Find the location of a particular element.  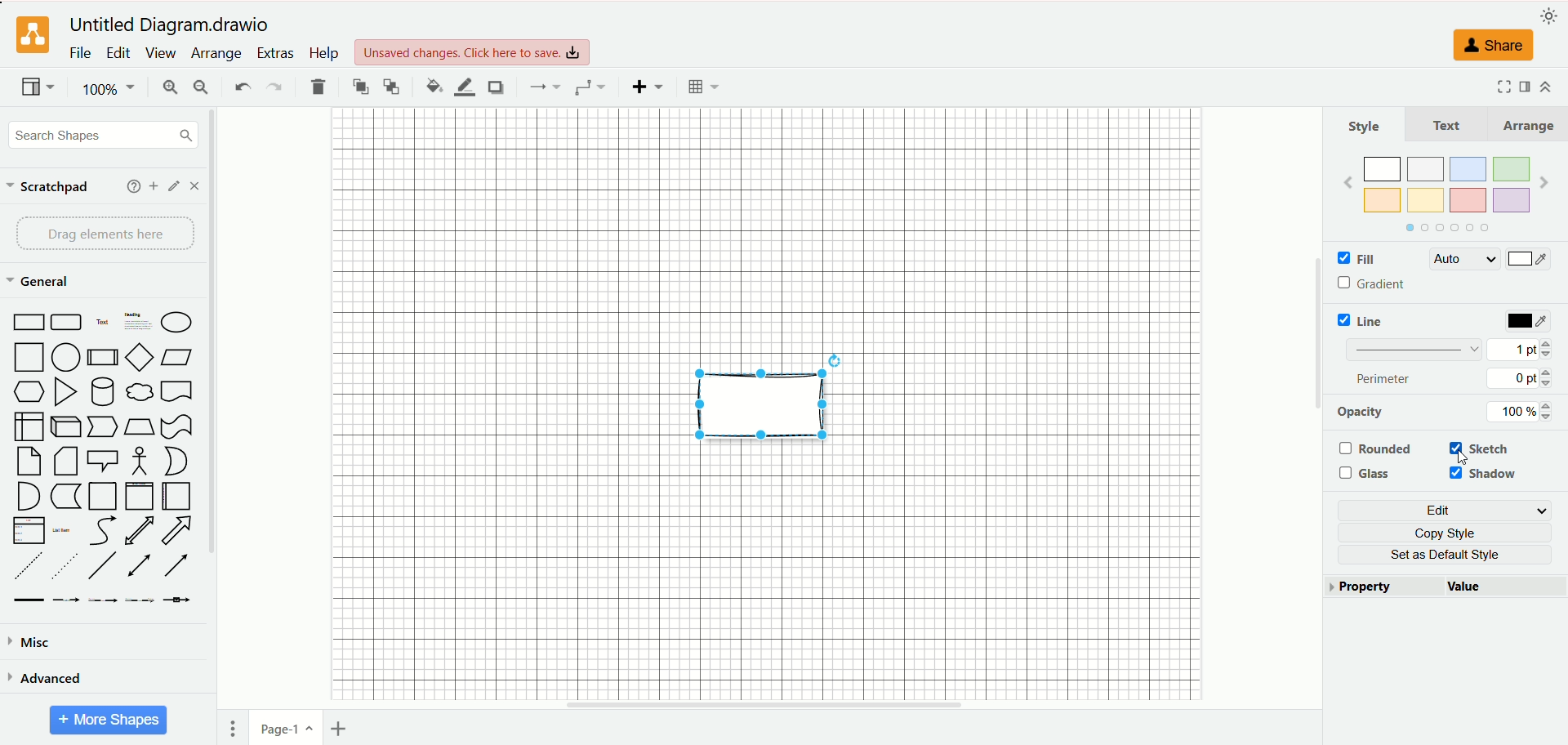

vertical scroll bar is located at coordinates (1316, 409).